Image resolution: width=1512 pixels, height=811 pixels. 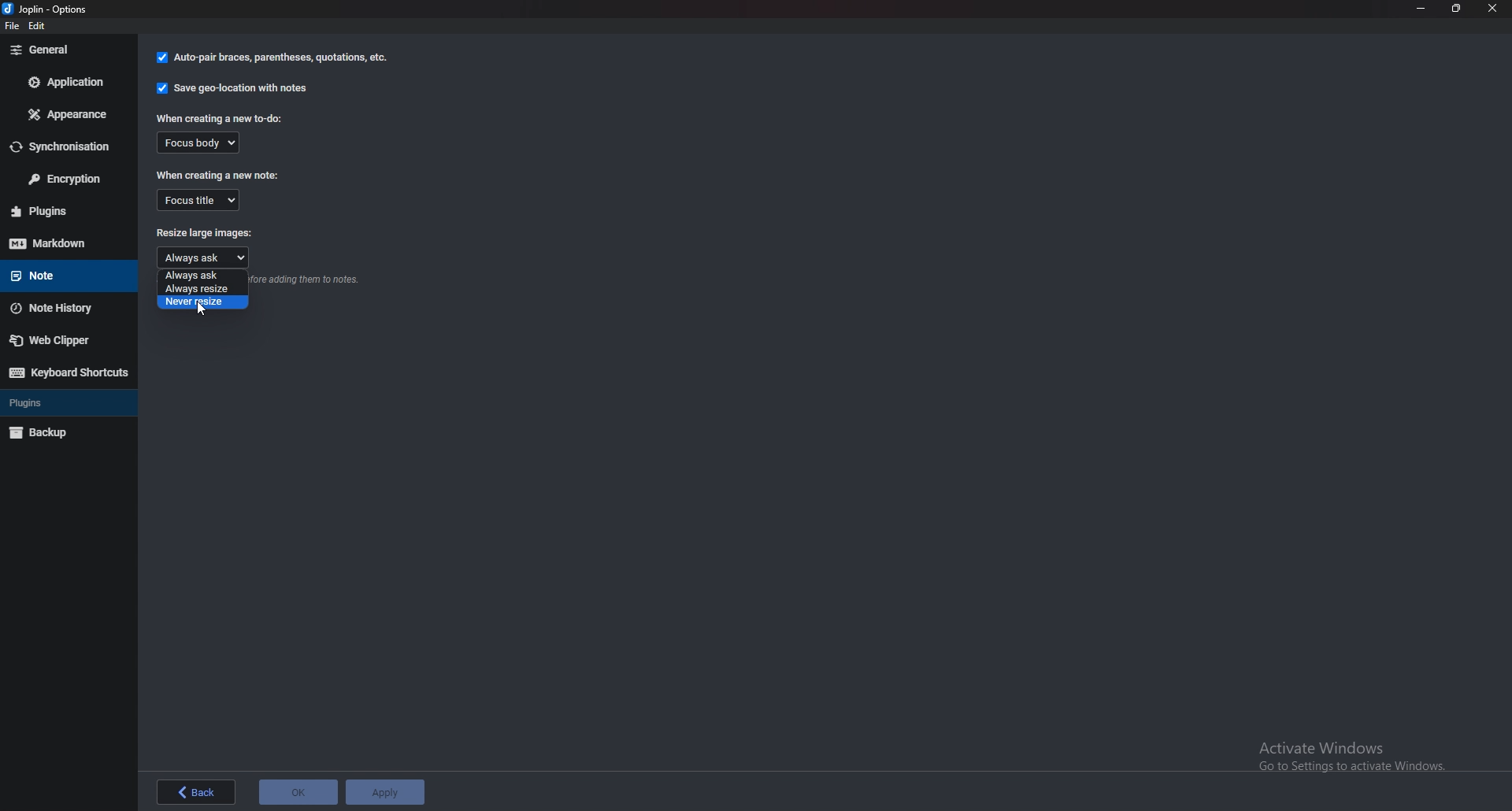 What do you see at coordinates (1456, 9) in the screenshot?
I see `Resize` at bounding box center [1456, 9].